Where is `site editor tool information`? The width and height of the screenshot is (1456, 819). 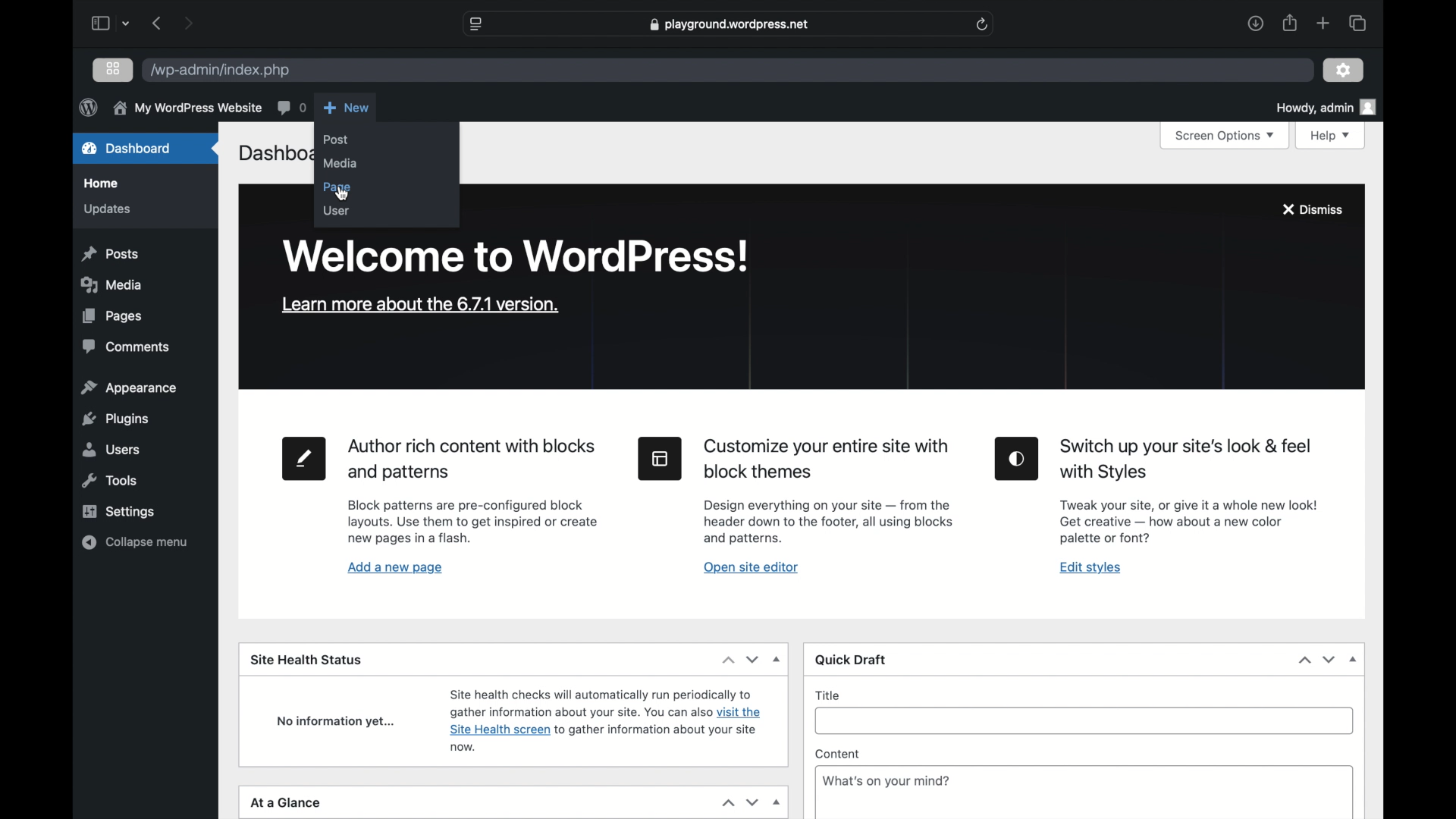 site editor tool information is located at coordinates (828, 522).